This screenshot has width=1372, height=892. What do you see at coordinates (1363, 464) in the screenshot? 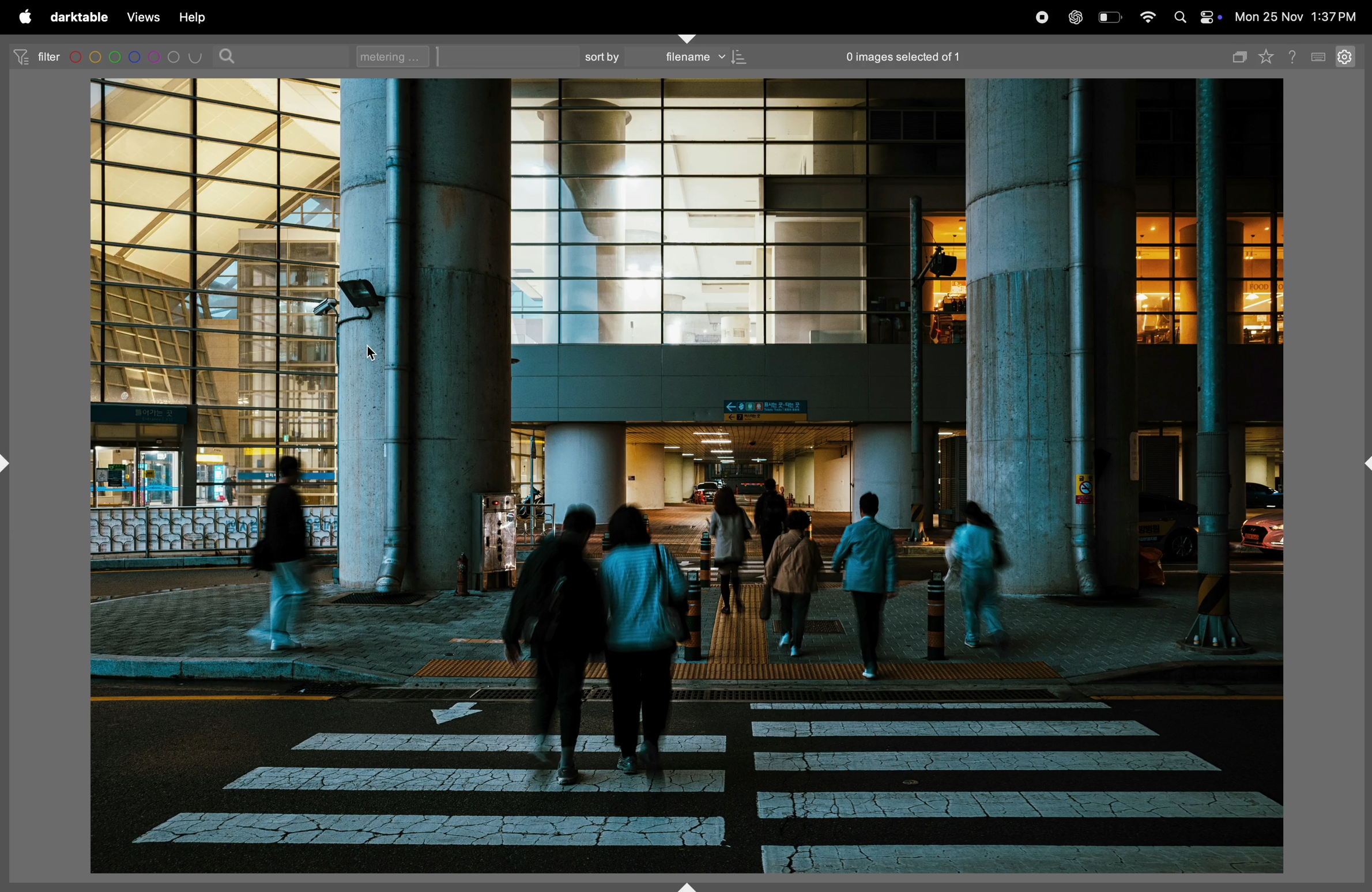
I see `shift+ctrl+r` at bounding box center [1363, 464].